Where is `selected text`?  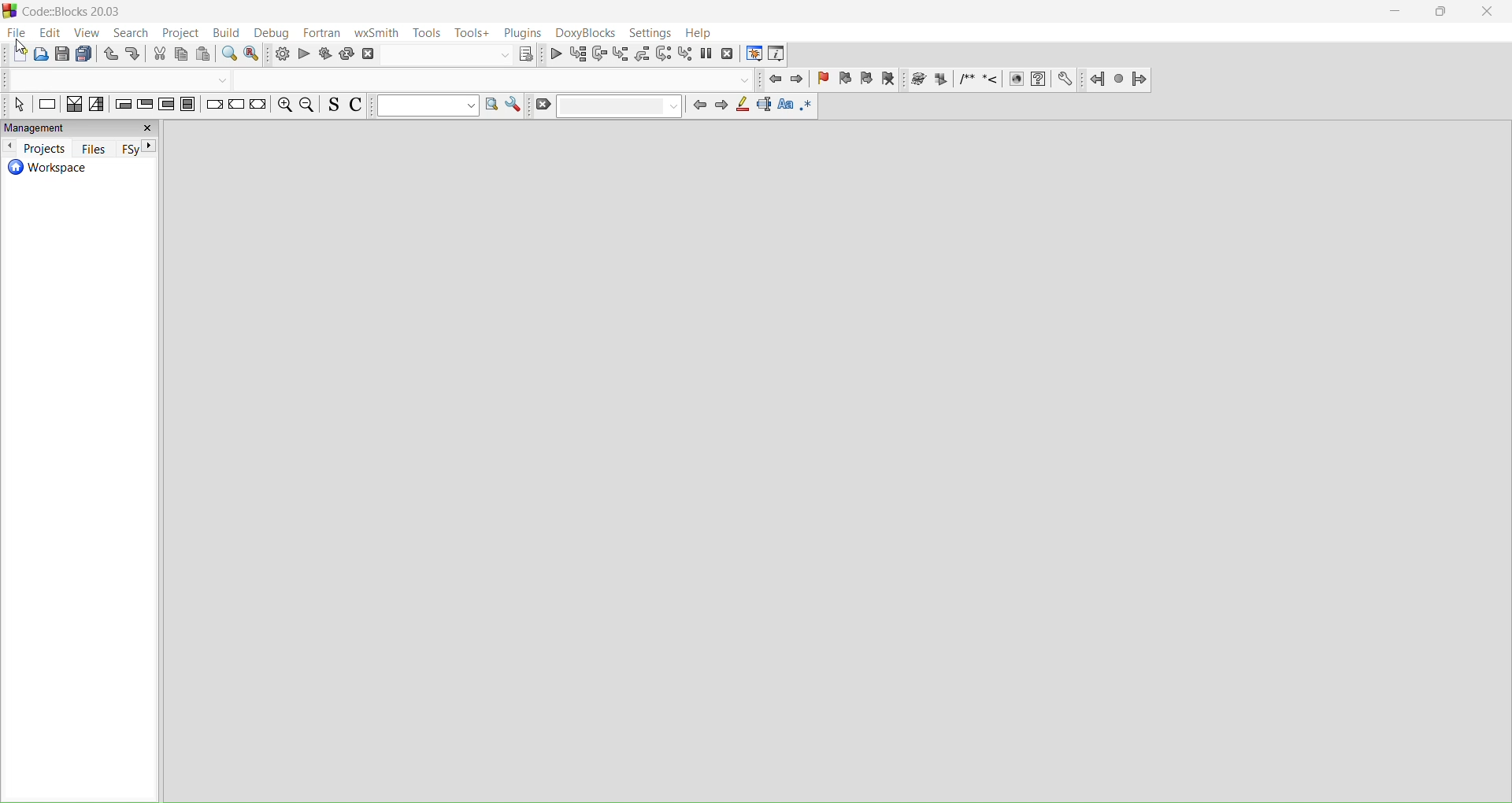
selected text is located at coordinates (765, 108).